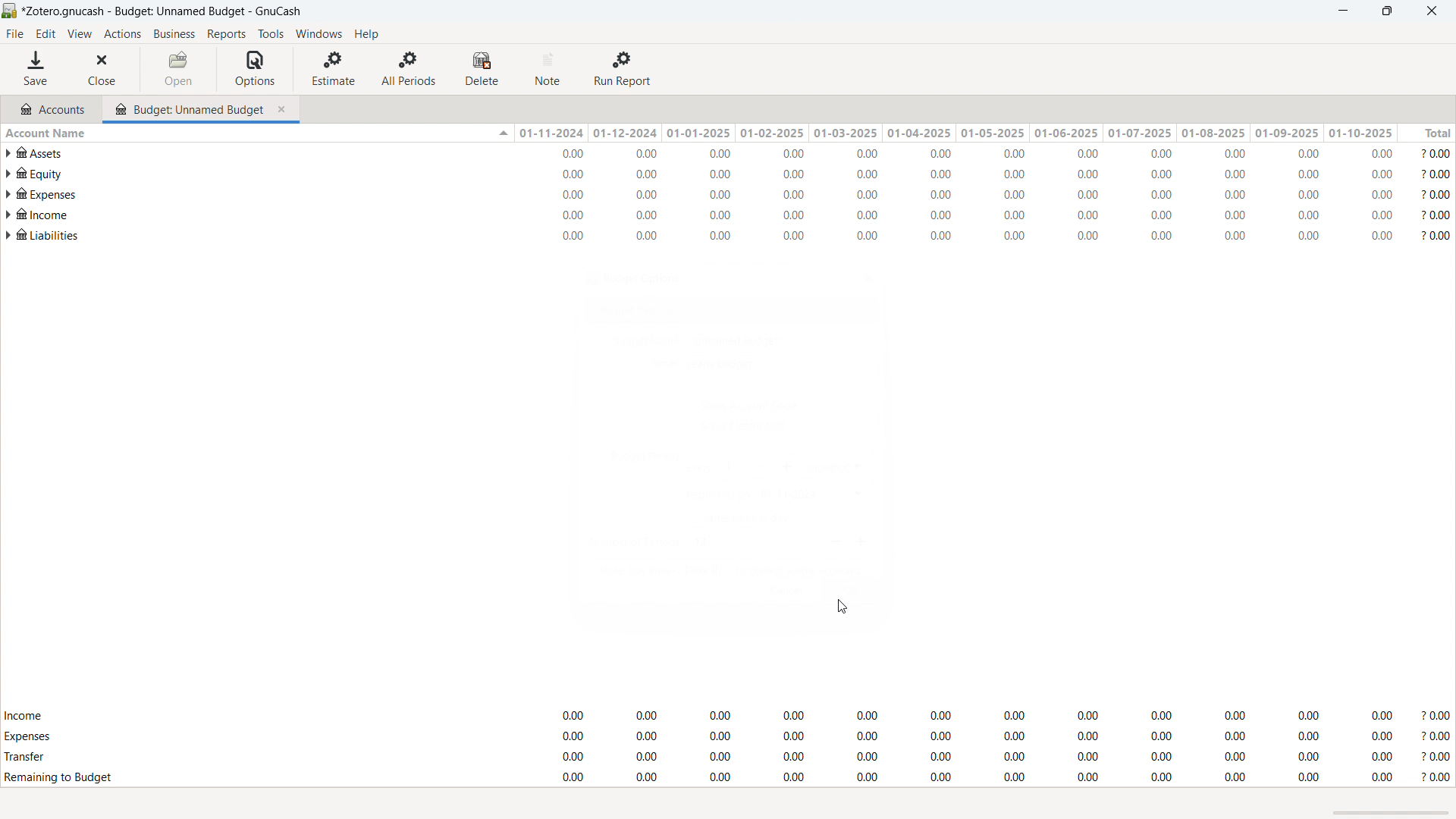  Describe the element at coordinates (1288, 133) in the screenshot. I see `01-09-2025` at that location.